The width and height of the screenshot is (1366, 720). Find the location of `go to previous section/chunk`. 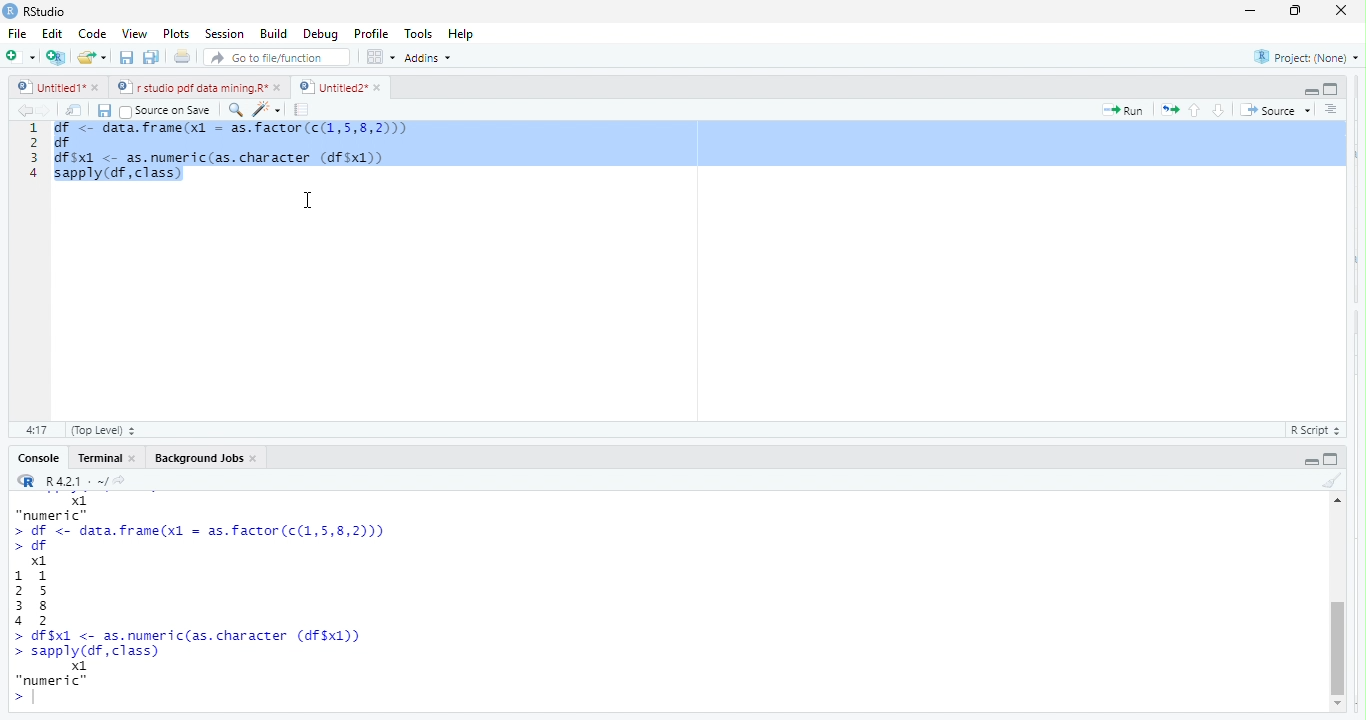

go to previous section/chunk is located at coordinates (1196, 109).